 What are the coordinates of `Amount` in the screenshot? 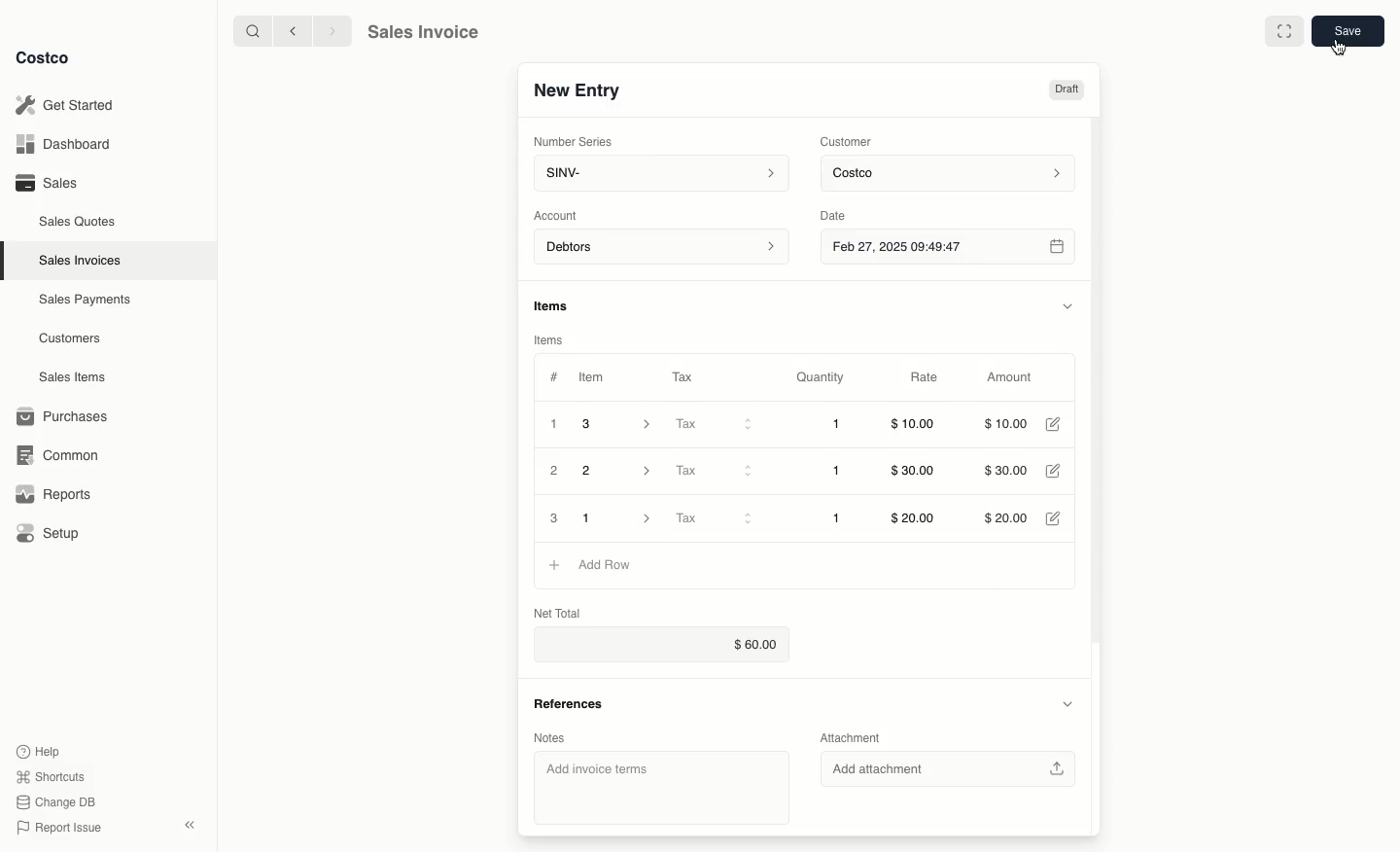 It's located at (1007, 378).